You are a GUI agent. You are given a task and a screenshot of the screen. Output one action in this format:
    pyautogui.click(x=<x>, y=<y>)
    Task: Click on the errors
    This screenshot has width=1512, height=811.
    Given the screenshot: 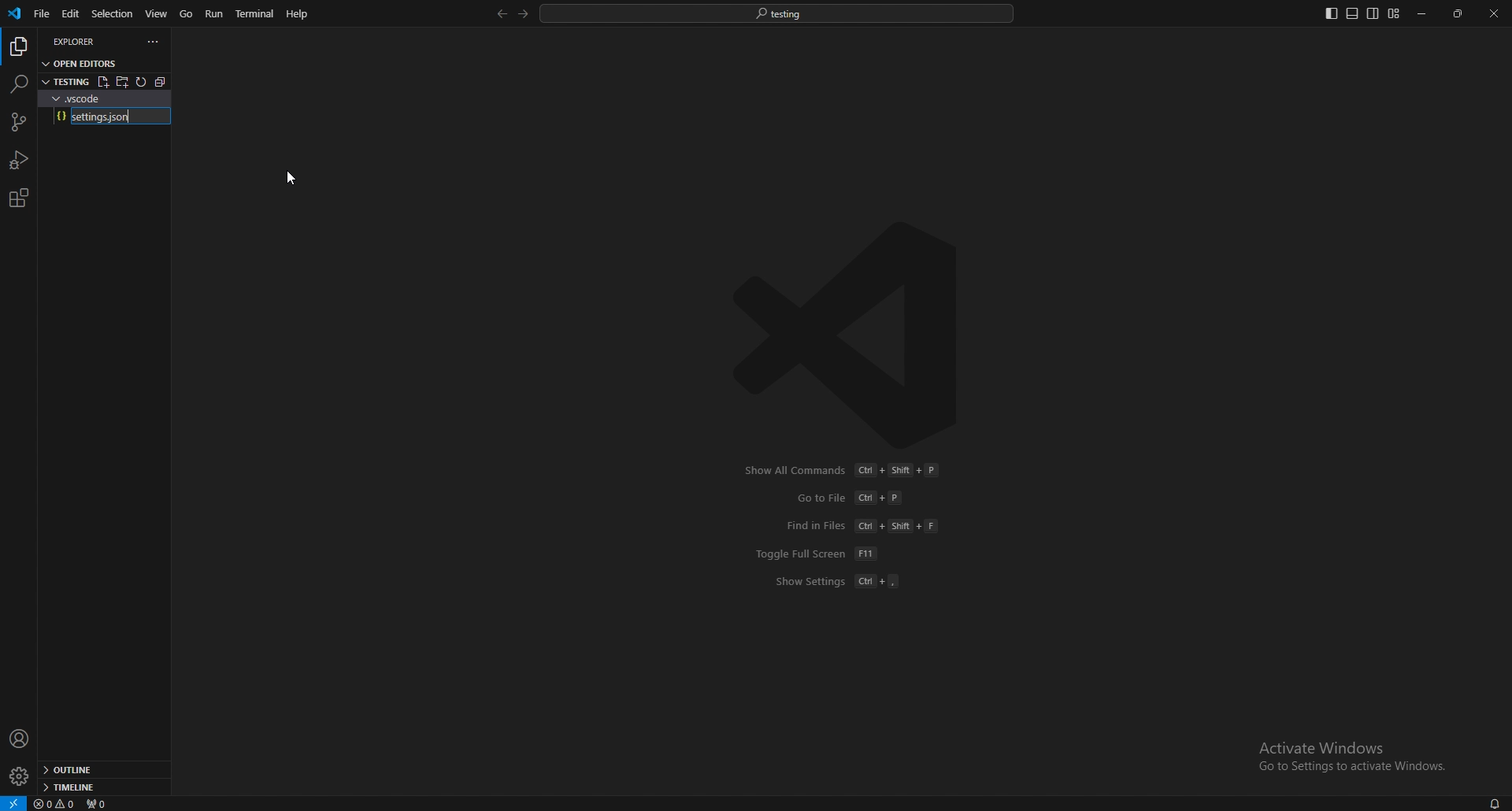 What is the action you would take?
    pyautogui.click(x=56, y=805)
    